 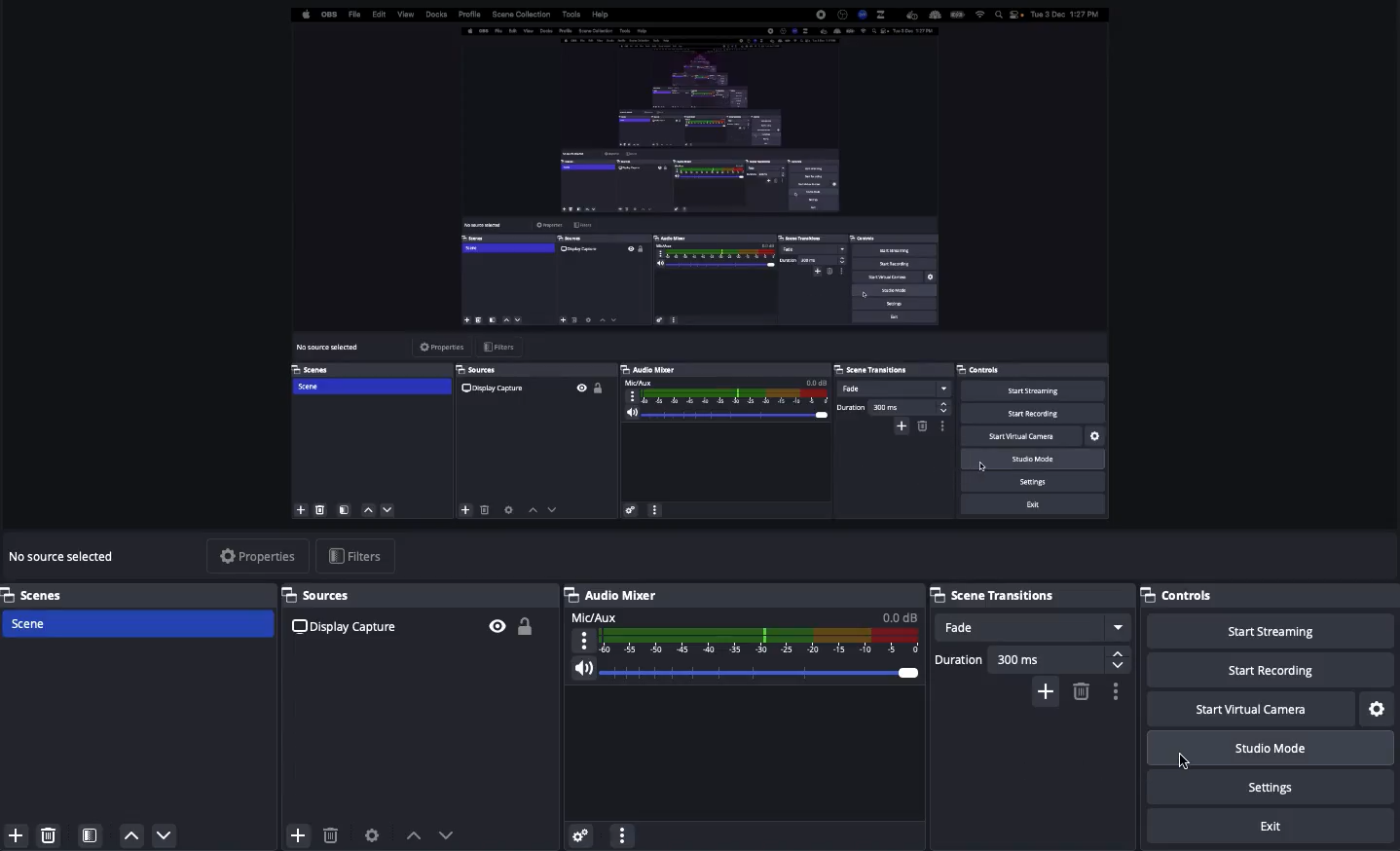 What do you see at coordinates (370, 835) in the screenshot?
I see `Source preferences` at bounding box center [370, 835].